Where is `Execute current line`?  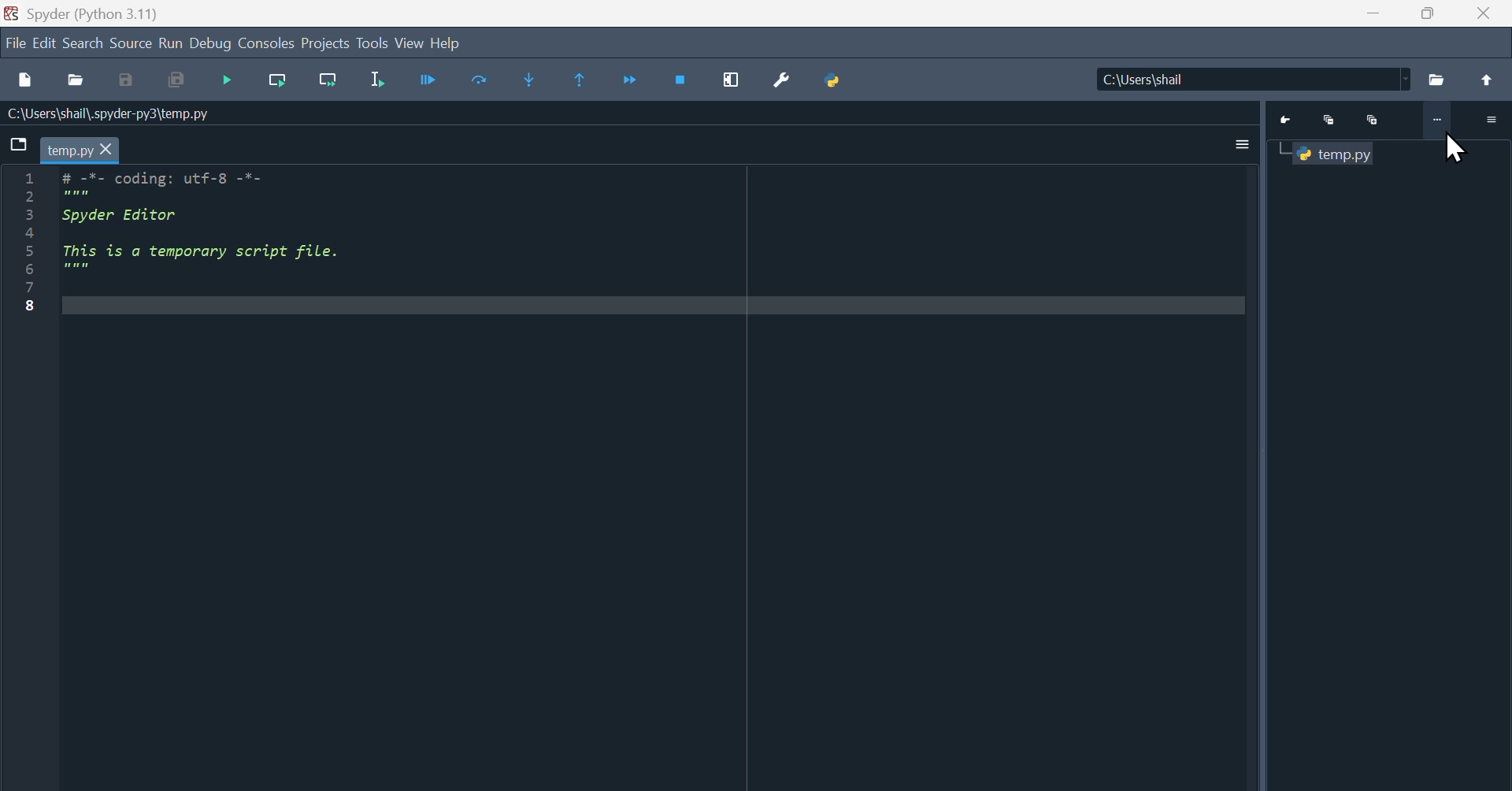 Execute current line is located at coordinates (481, 81).